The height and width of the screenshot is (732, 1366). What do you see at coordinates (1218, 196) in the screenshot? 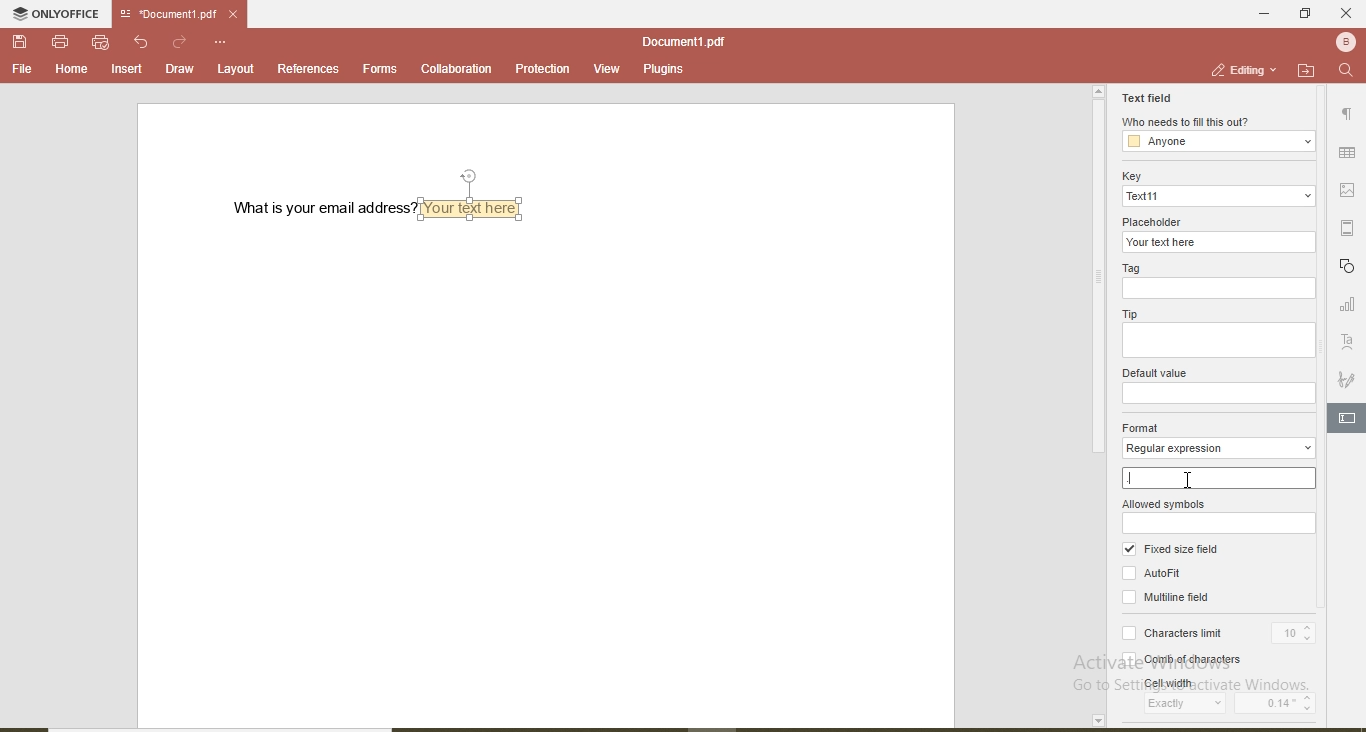
I see `text11` at bounding box center [1218, 196].